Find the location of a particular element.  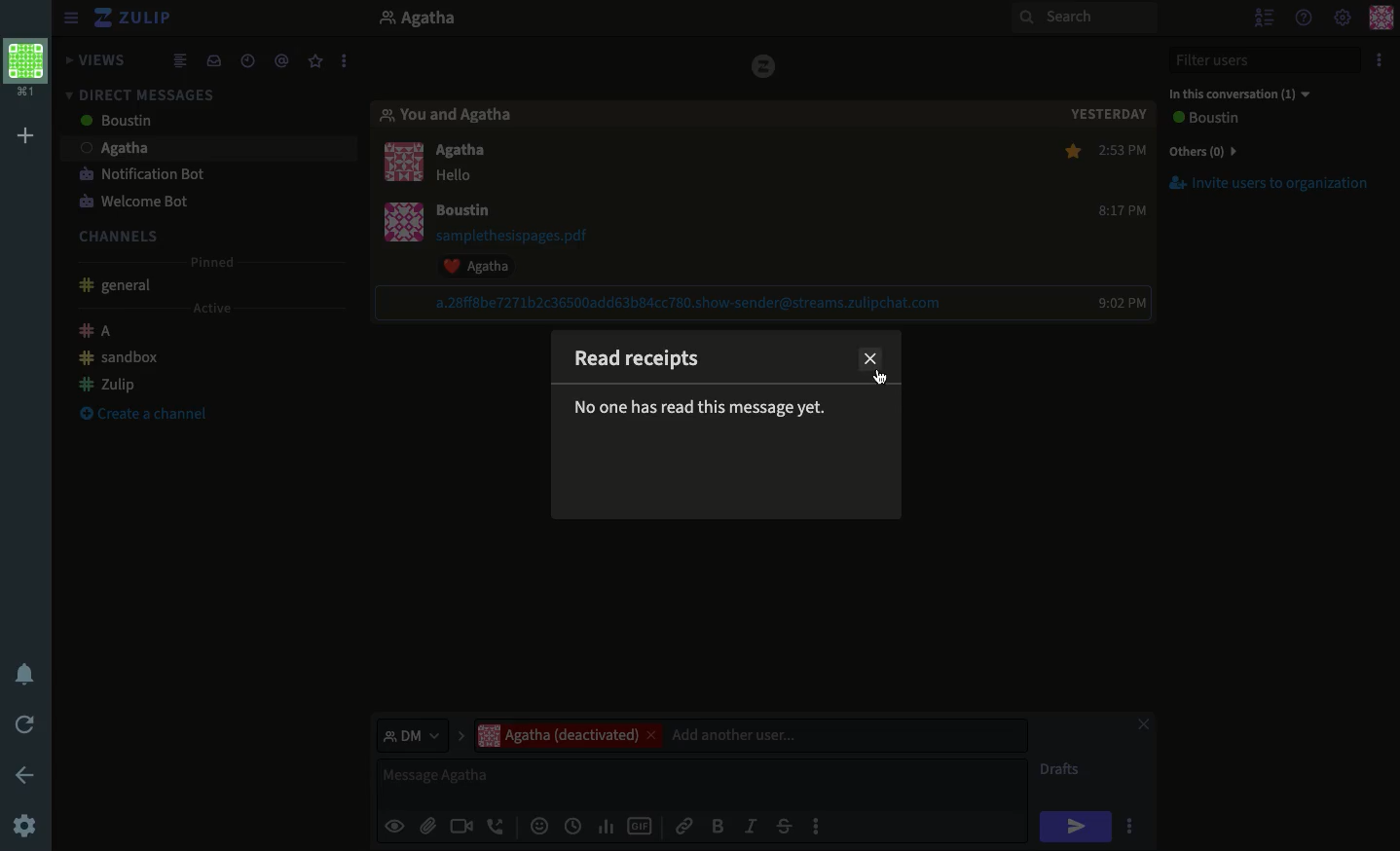

Pinned is located at coordinates (218, 263).